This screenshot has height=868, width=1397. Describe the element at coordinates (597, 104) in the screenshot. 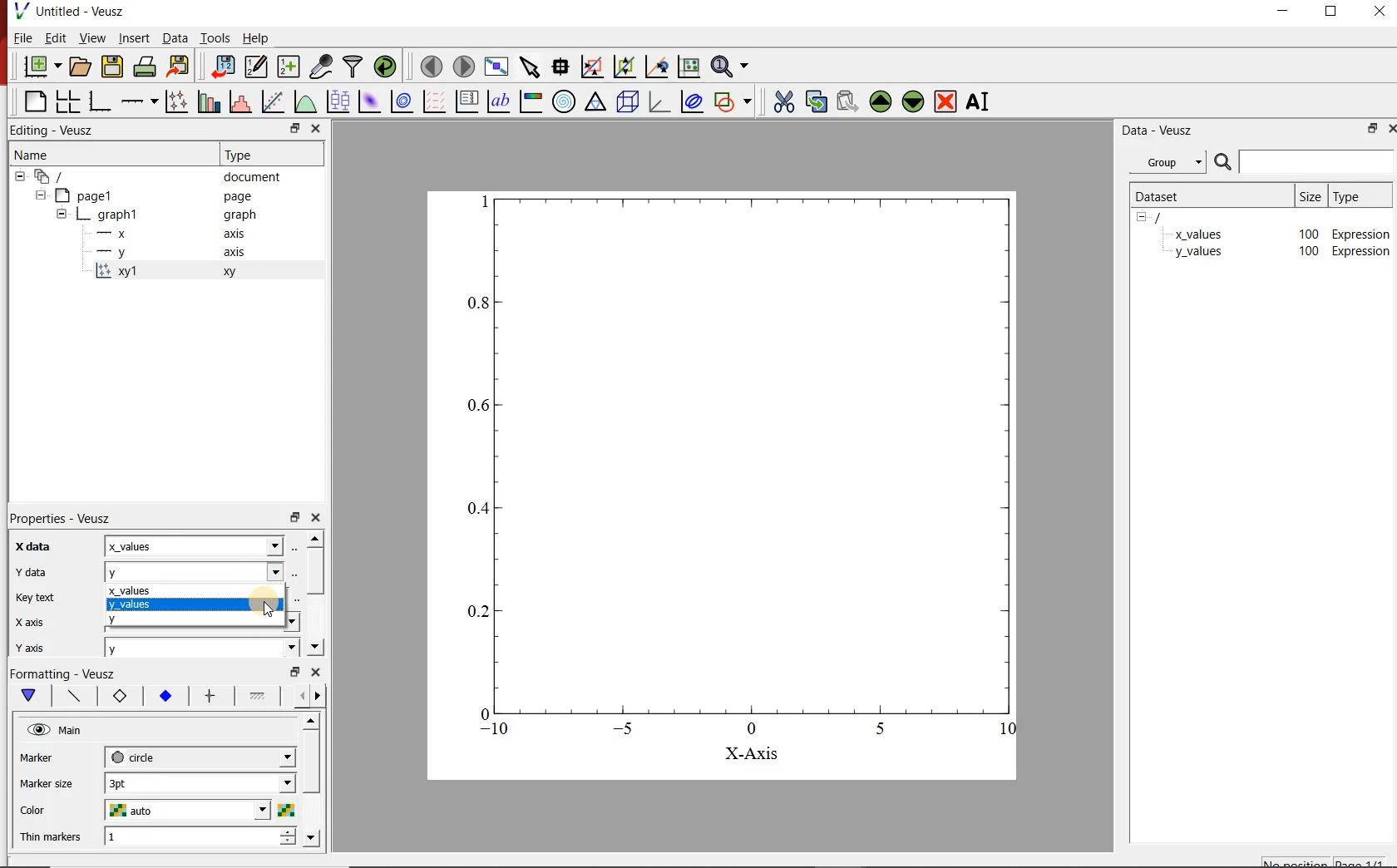

I see `ternary graph` at that location.